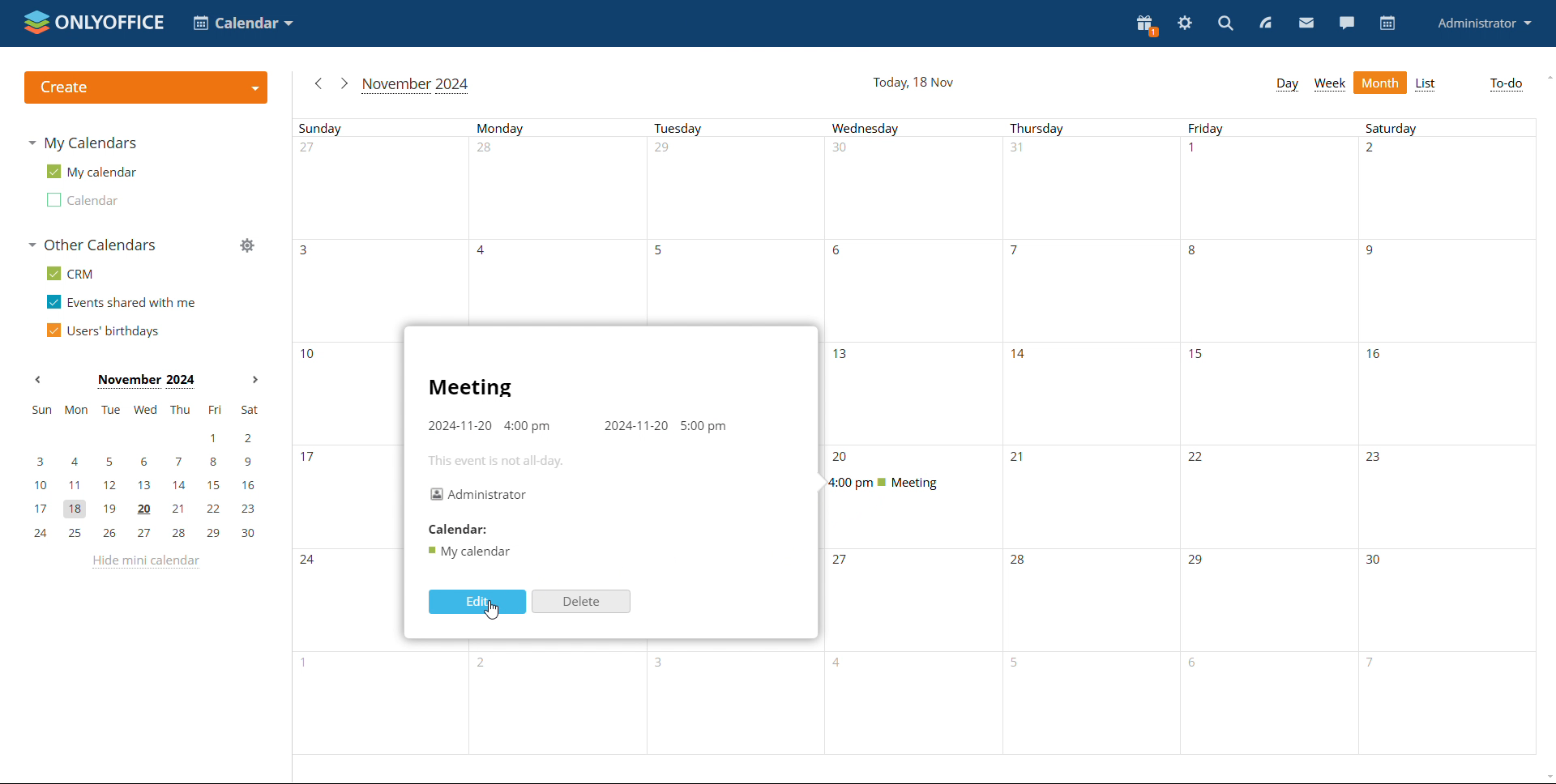 The width and height of the screenshot is (1556, 784). Describe the element at coordinates (95, 23) in the screenshot. I see `logo` at that location.